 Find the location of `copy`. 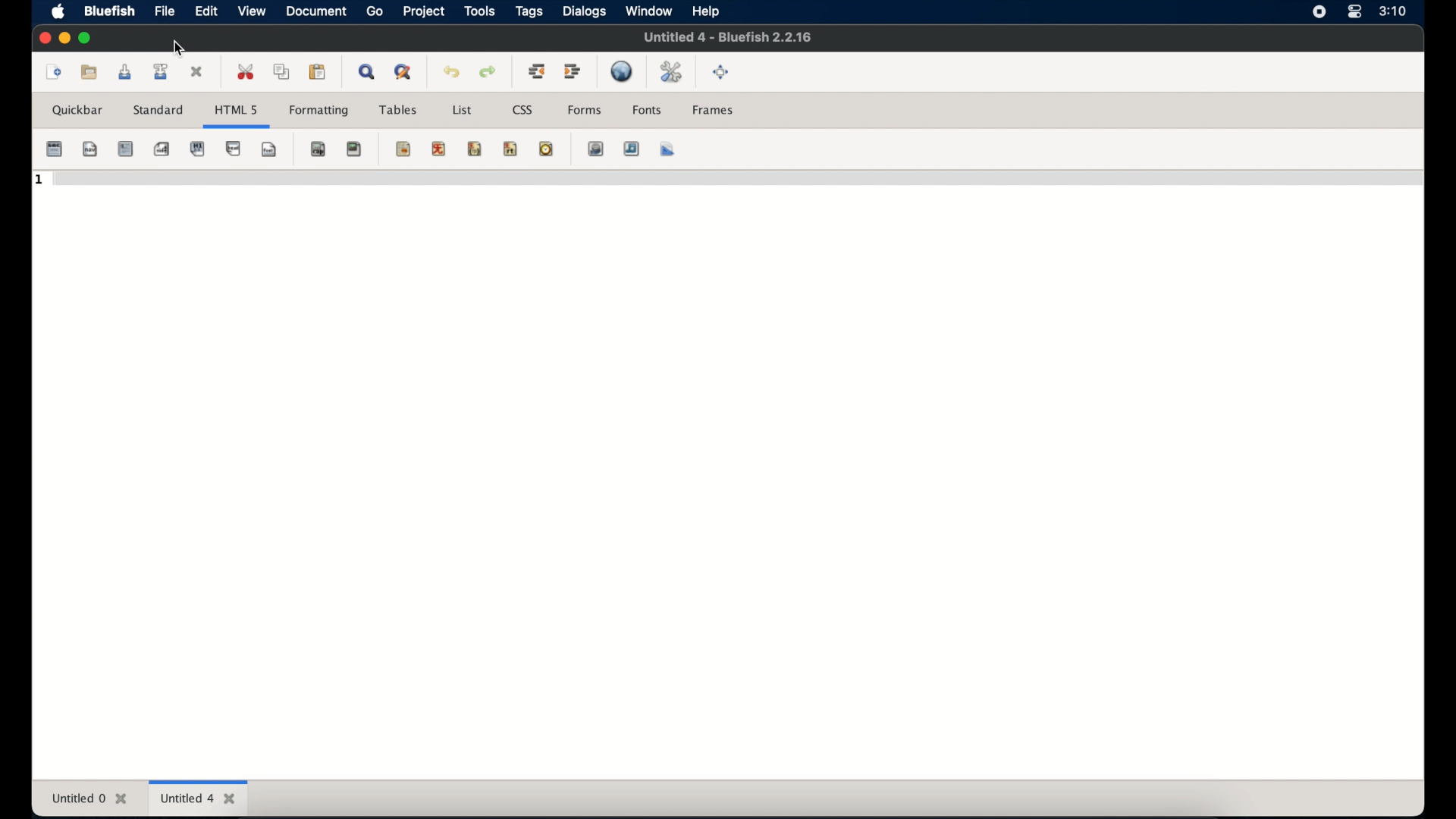

copy is located at coordinates (281, 71).